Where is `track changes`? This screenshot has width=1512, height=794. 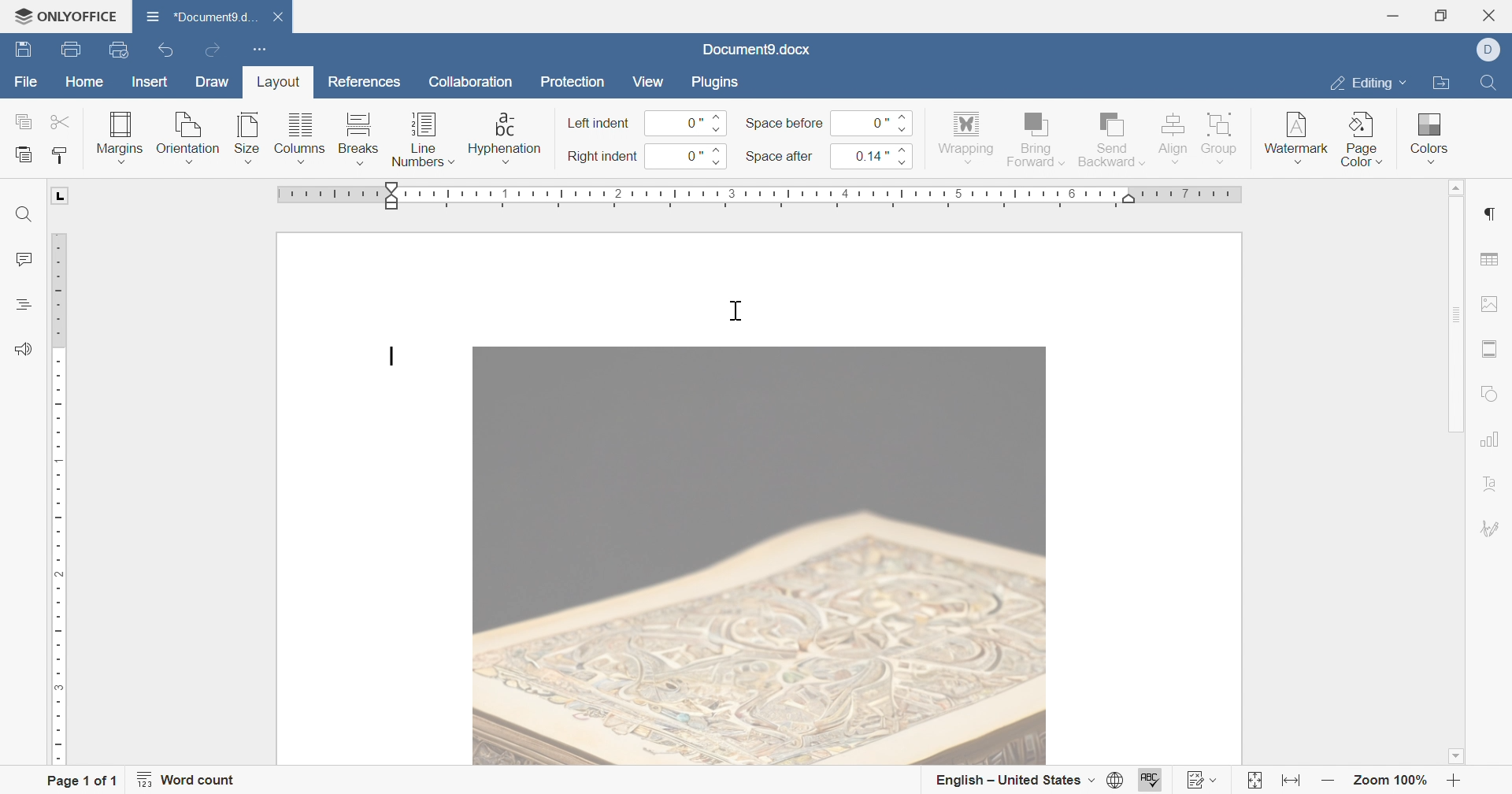 track changes is located at coordinates (1203, 780).